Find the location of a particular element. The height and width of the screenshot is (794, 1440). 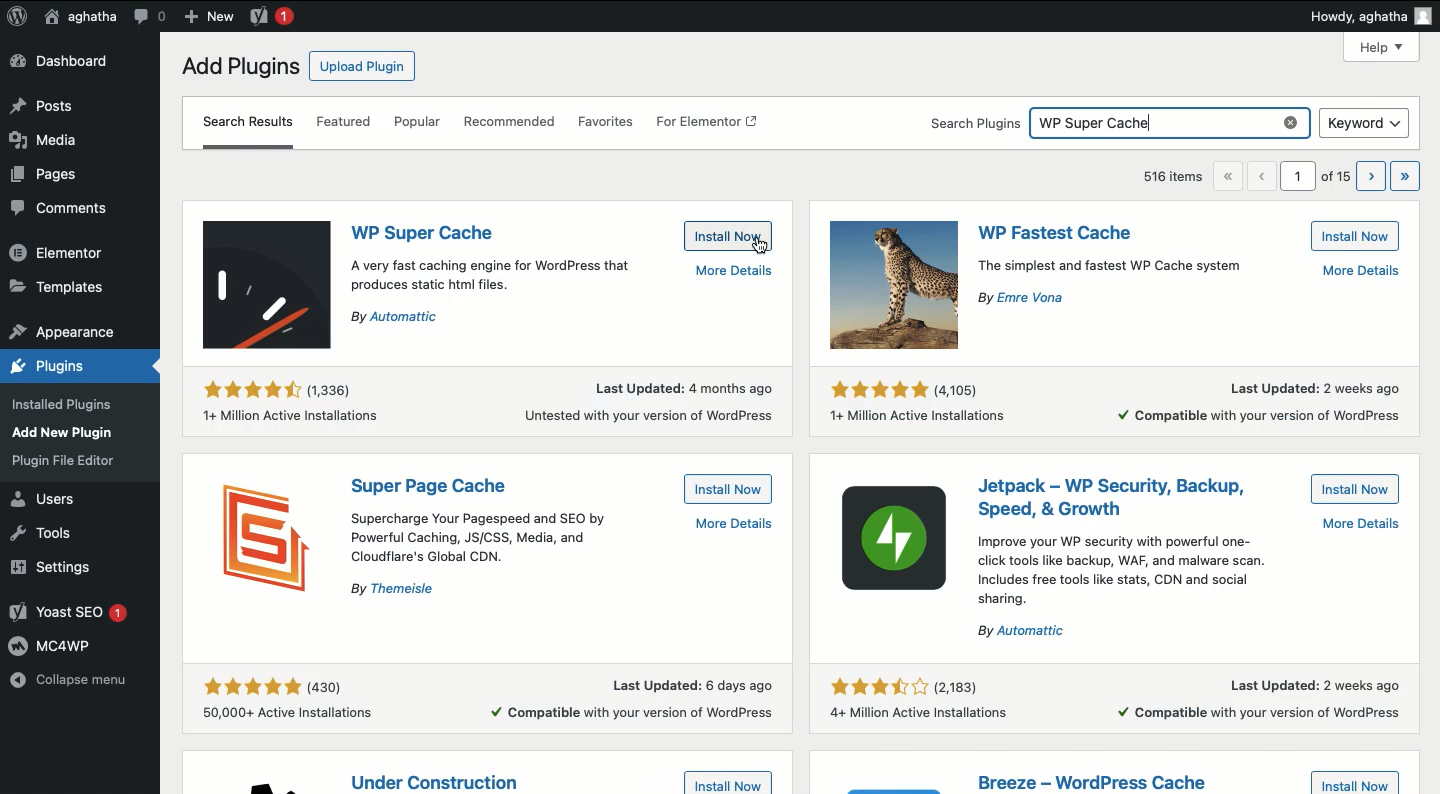

Tools is located at coordinates (50, 534).